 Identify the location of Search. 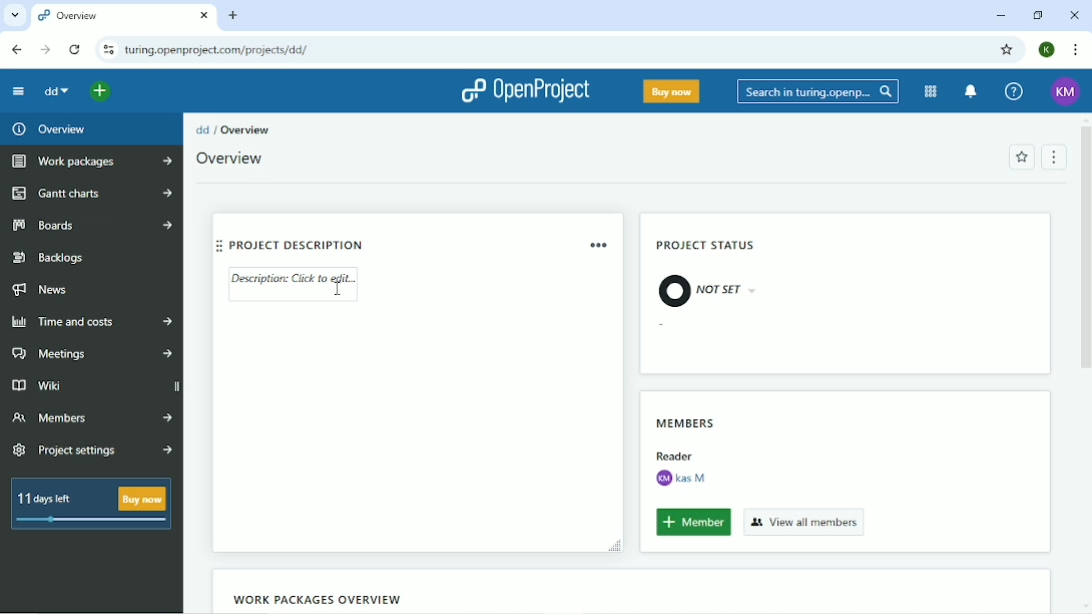
(818, 90).